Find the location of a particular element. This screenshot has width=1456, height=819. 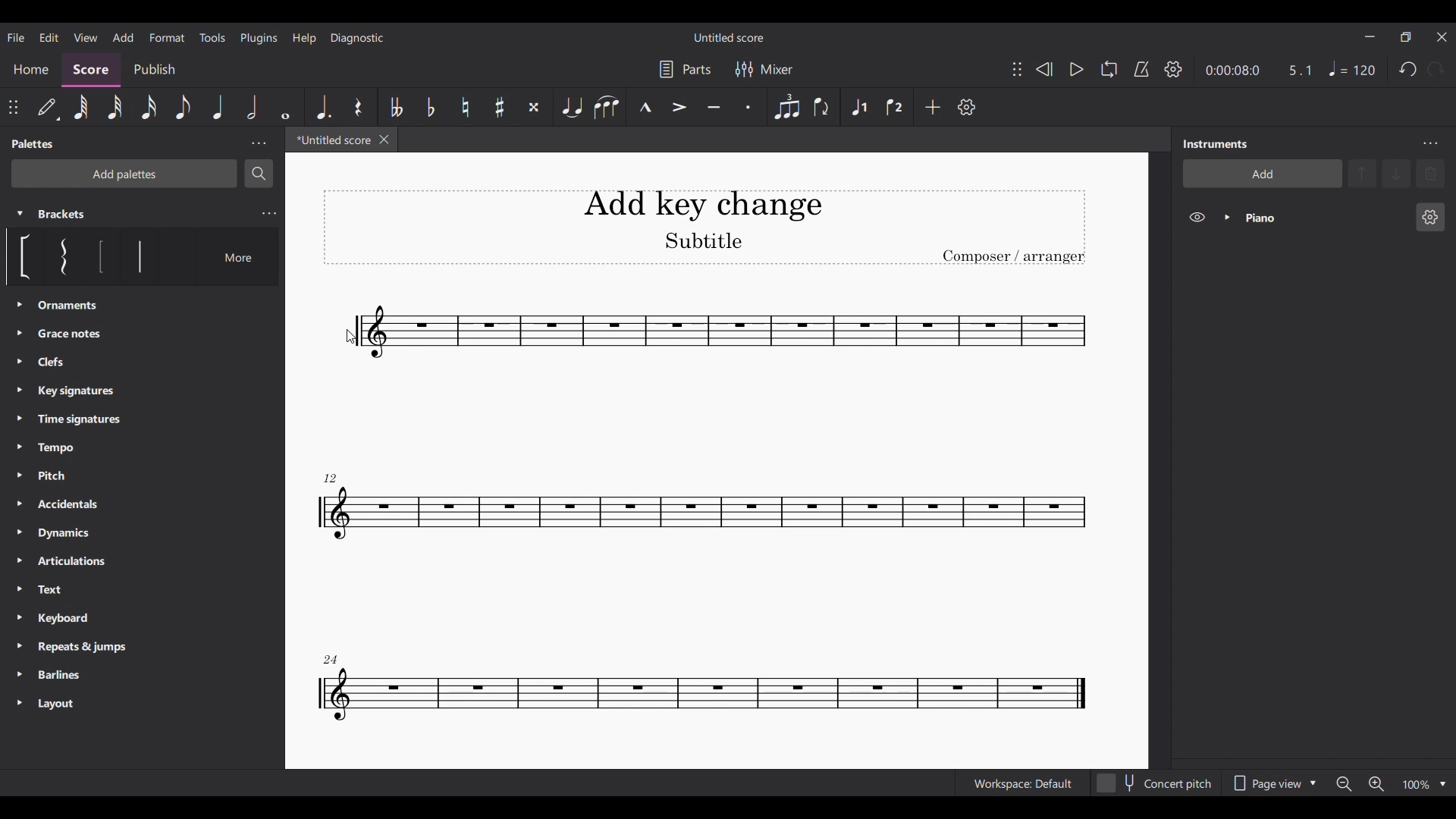

Marcato is located at coordinates (645, 108).